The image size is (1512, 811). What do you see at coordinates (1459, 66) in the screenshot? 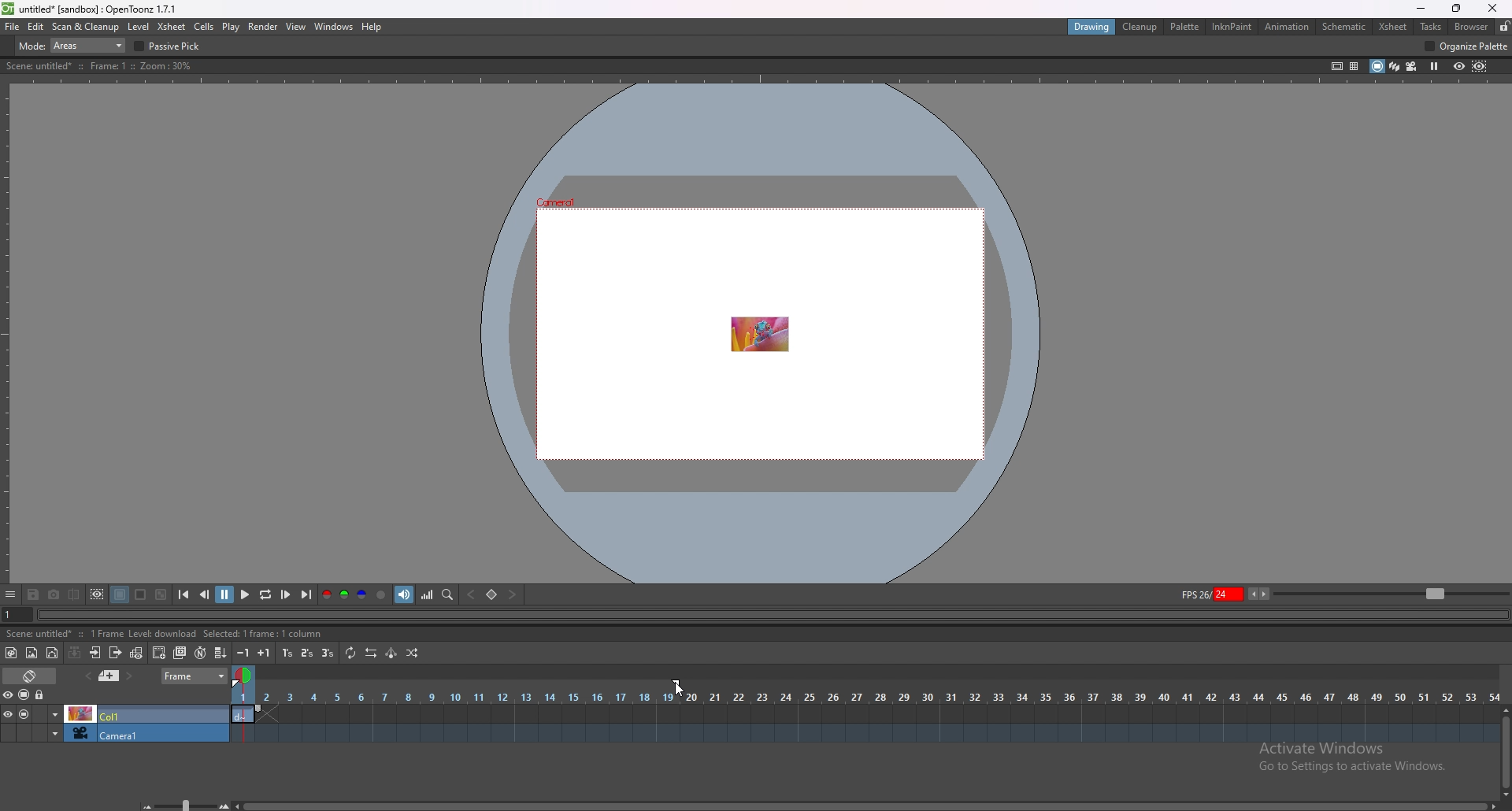
I see `preview` at bounding box center [1459, 66].